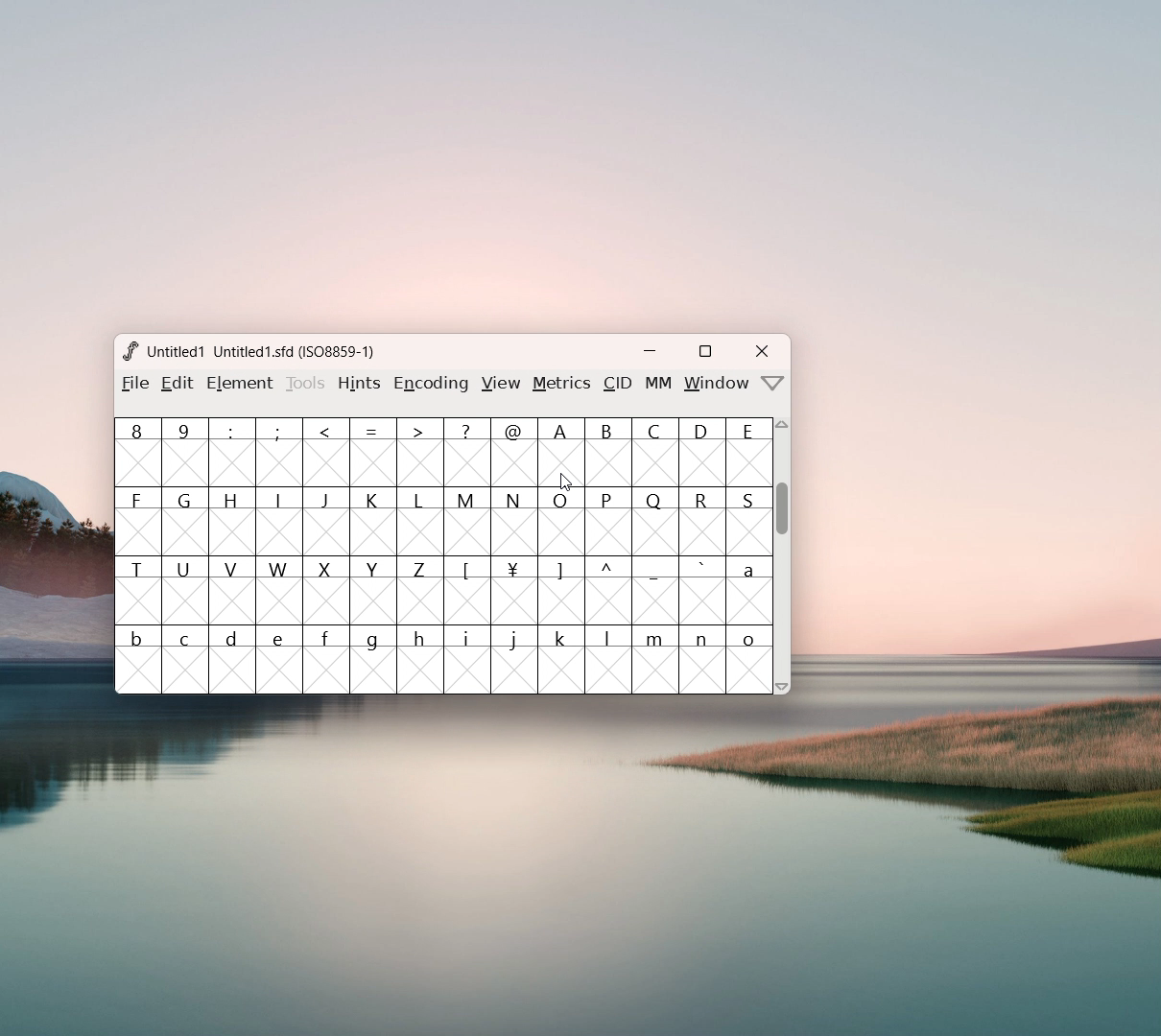  Describe the element at coordinates (658, 381) in the screenshot. I see `MM` at that location.